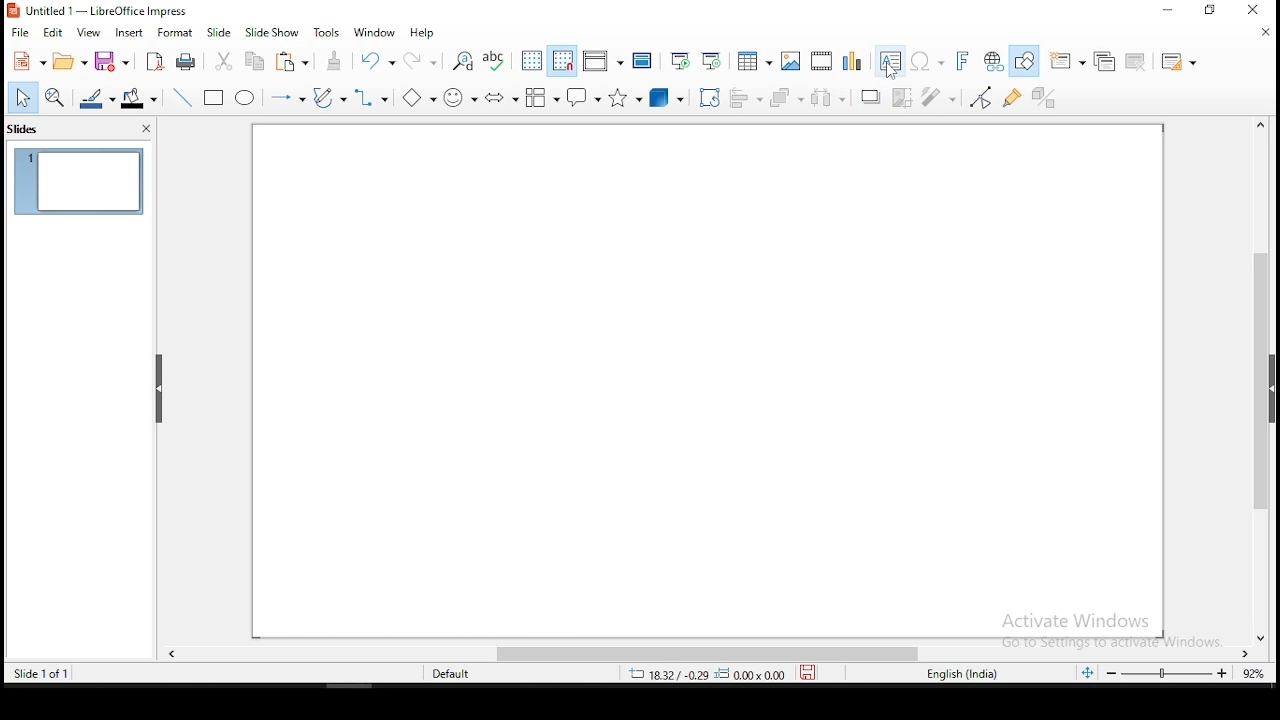  I want to click on ellipse, so click(246, 97).